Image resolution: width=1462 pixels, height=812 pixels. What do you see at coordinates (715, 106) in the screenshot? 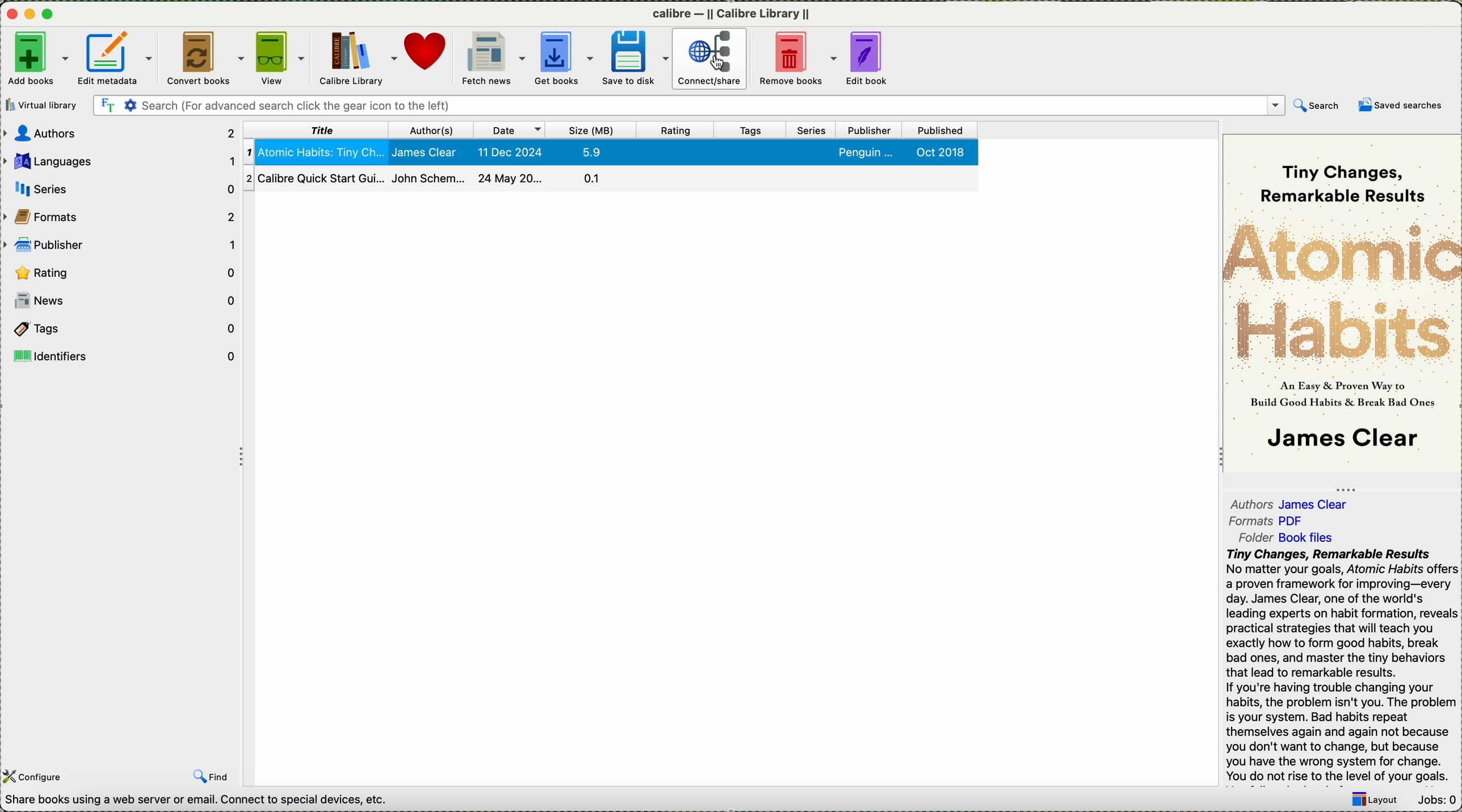
I see `search bar` at bounding box center [715, 106].